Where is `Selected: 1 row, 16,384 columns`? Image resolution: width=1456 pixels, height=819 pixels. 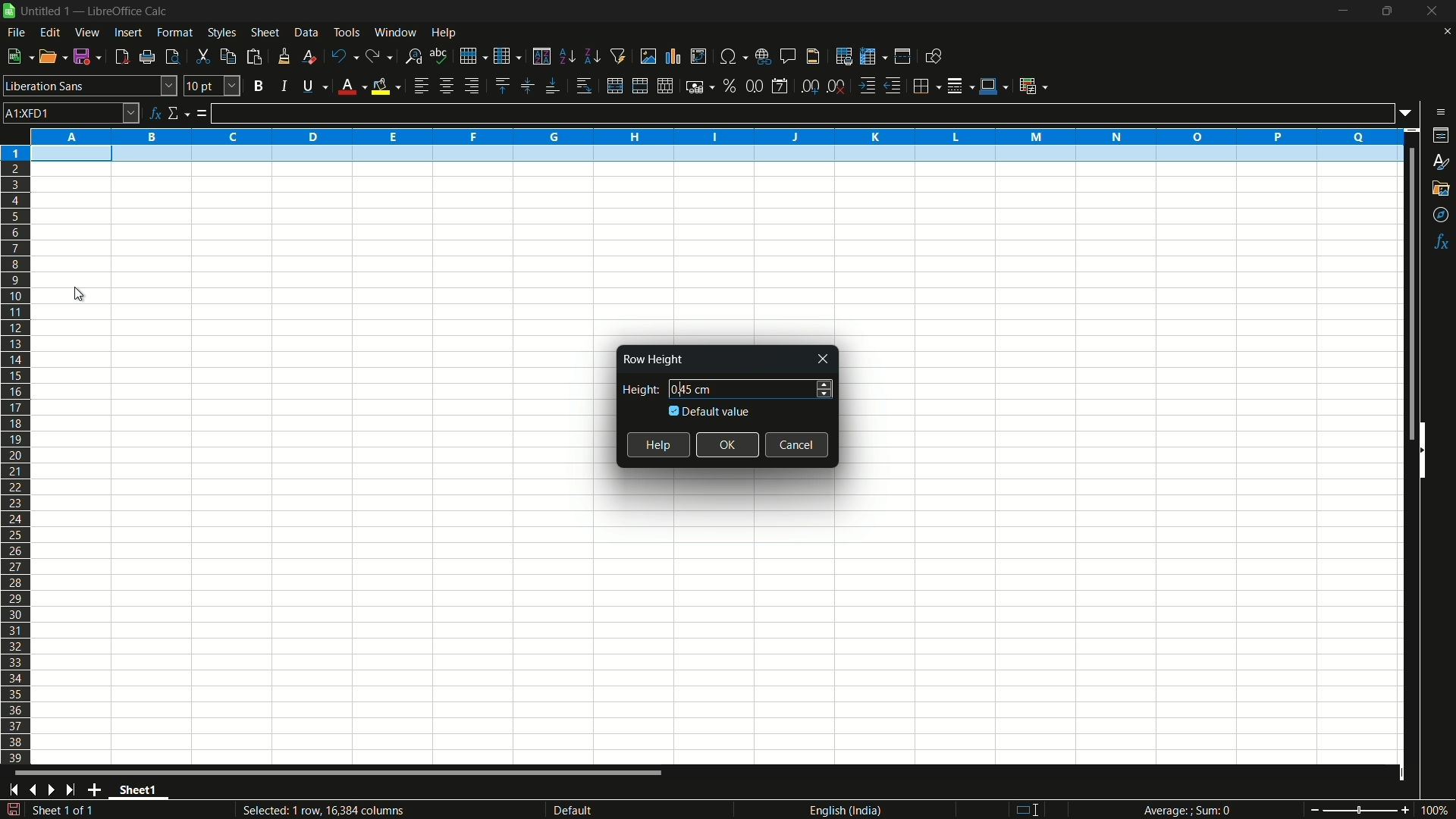
Selected: 1 row, 16,384 columns is located at coordinates (320, 809).